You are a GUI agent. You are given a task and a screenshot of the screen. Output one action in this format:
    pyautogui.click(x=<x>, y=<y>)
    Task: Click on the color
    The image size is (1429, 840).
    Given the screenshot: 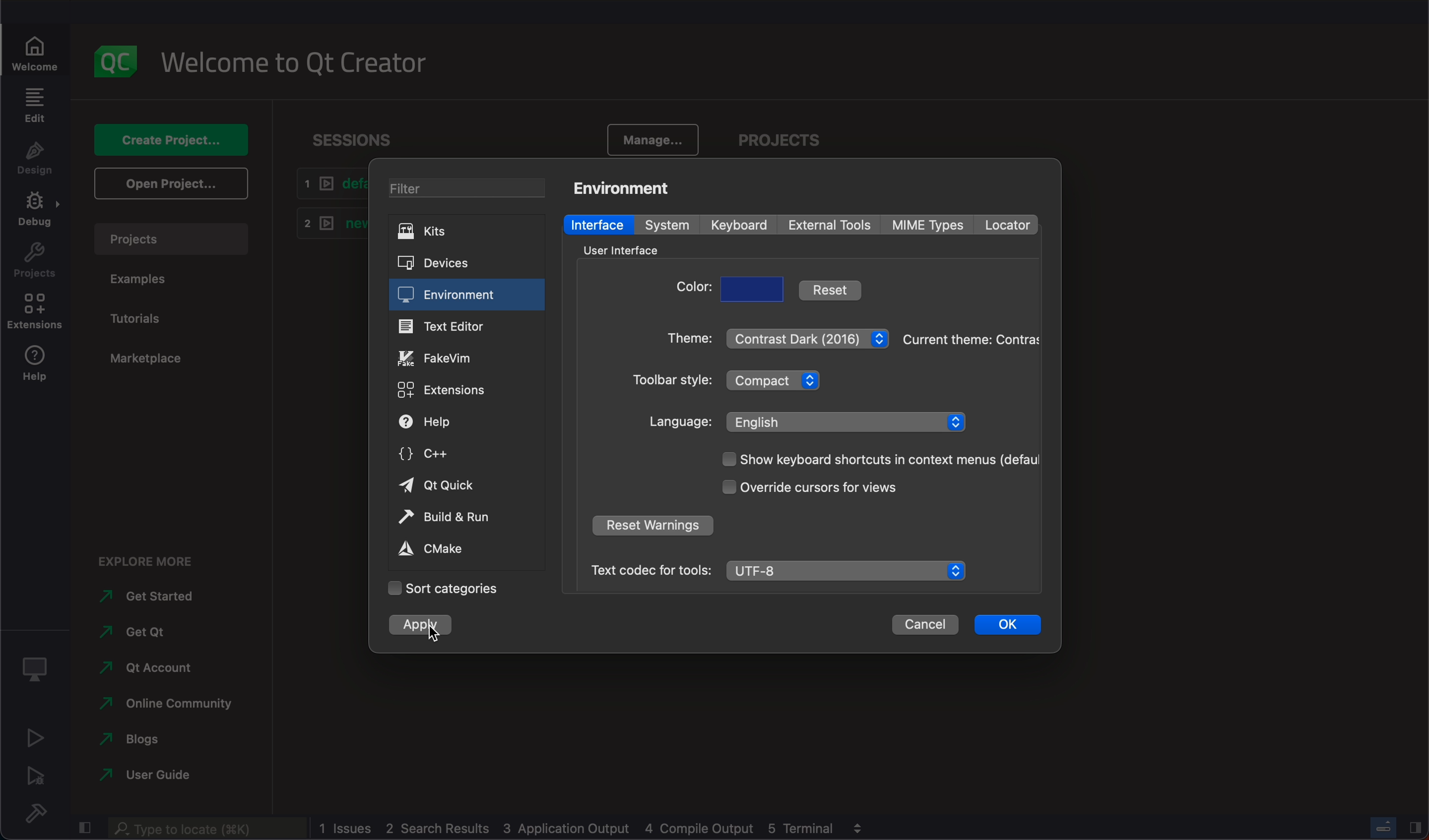 What is the action you would take?
    pyautogui.click(x=688, y=290)
    